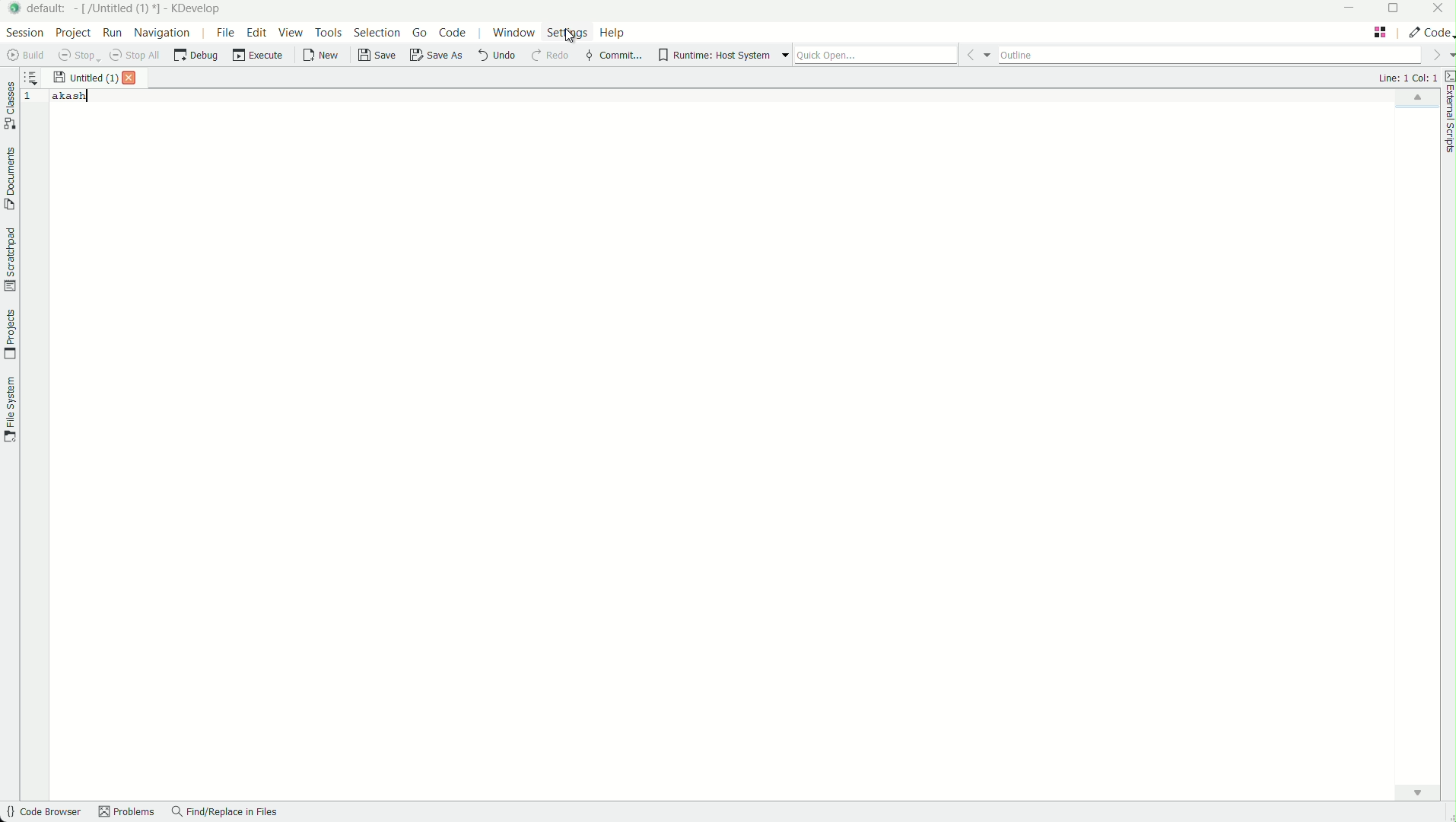 The image size is (1456, 822). Describe the element at coordinates (225, 813) in the screenshot. I see `find/replace in files` at that location.